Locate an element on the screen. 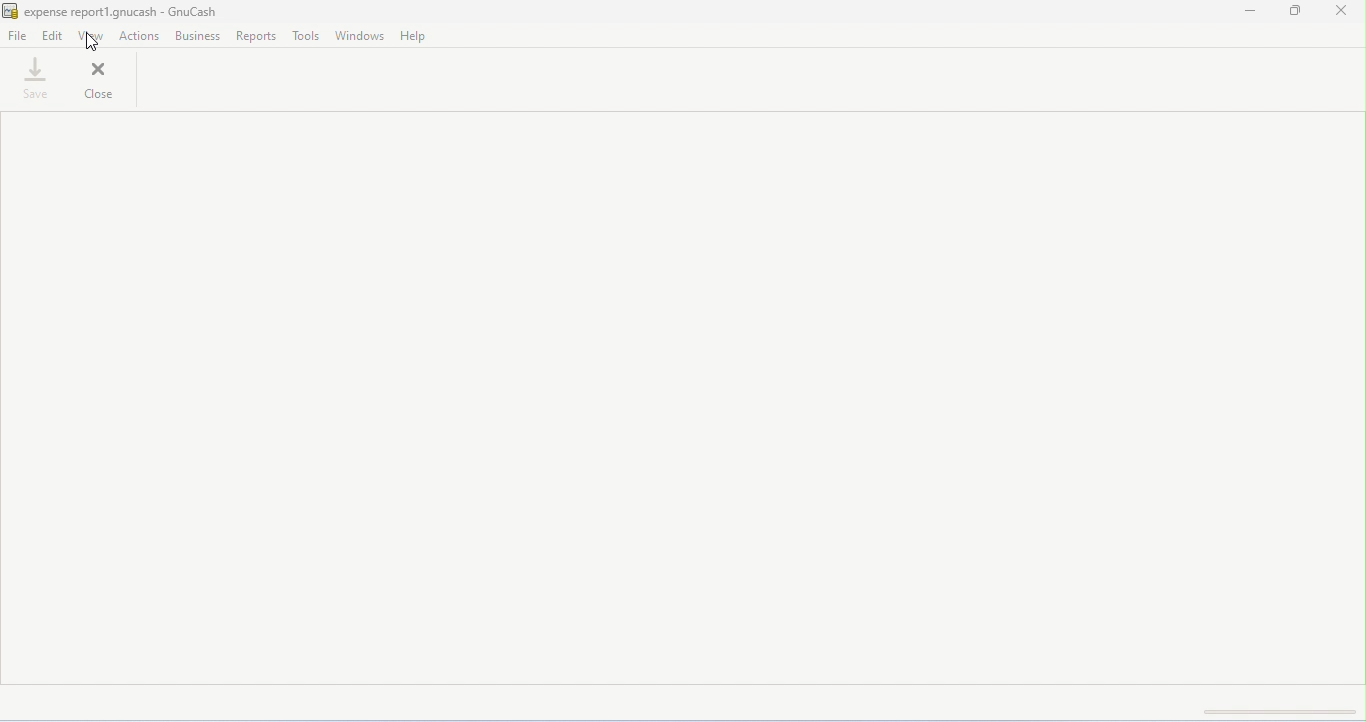  actions is located at coordinates (140, 36).